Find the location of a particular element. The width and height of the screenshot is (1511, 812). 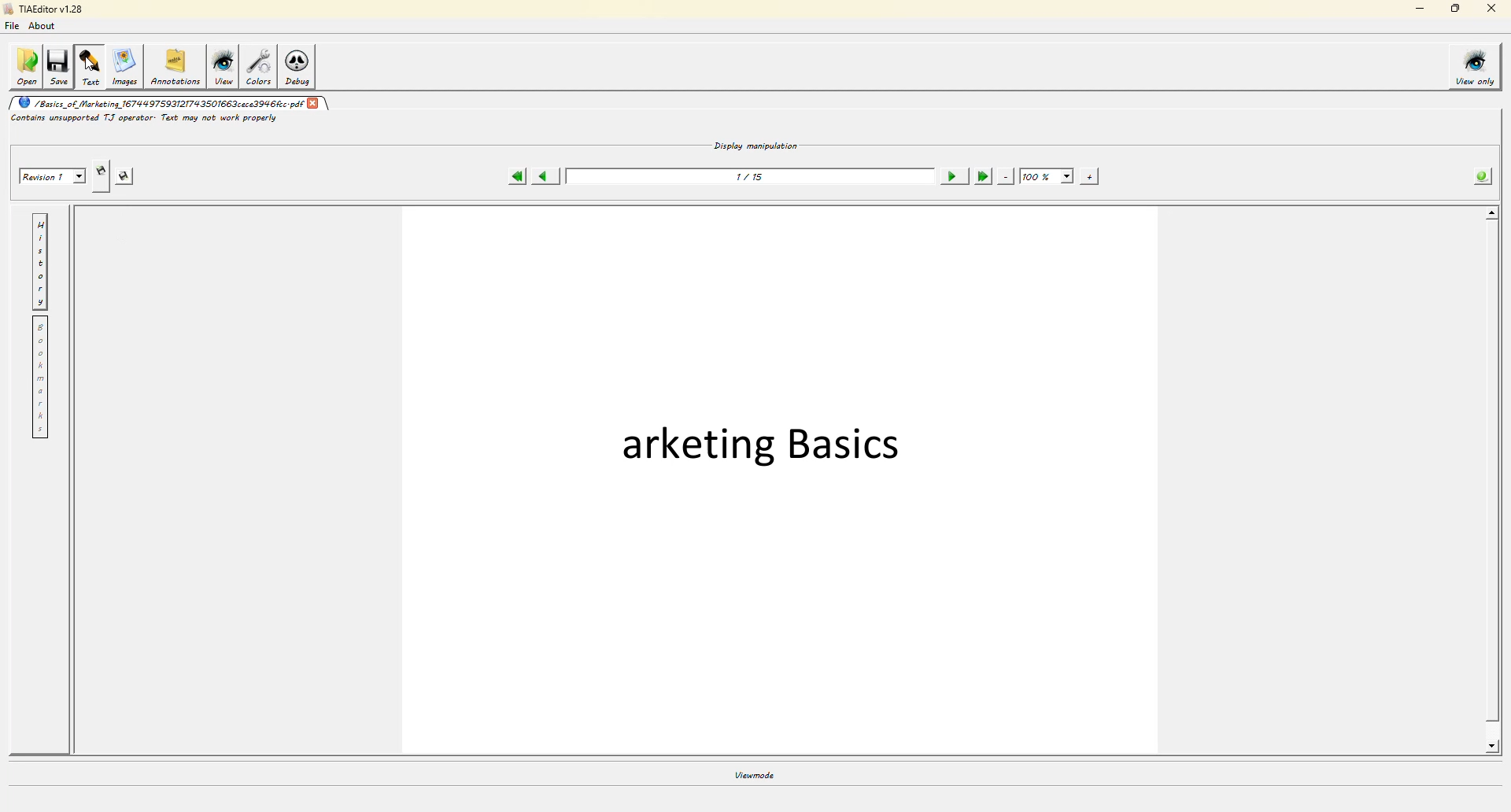

view only is located at coordinates (1476, 66).